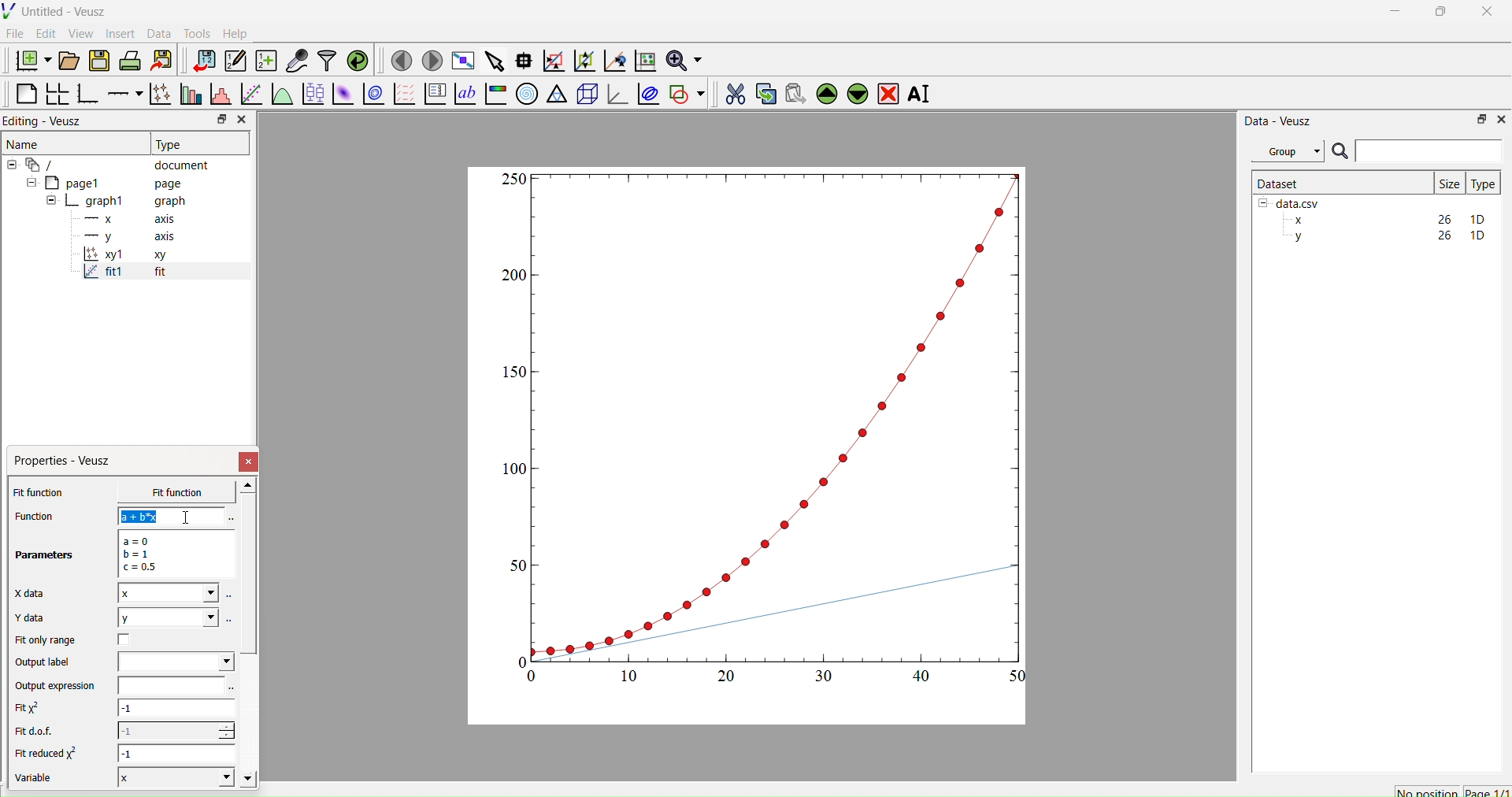 The height and width of the screenshot is (797, 1512). I want to click on x, so click(165, 492).